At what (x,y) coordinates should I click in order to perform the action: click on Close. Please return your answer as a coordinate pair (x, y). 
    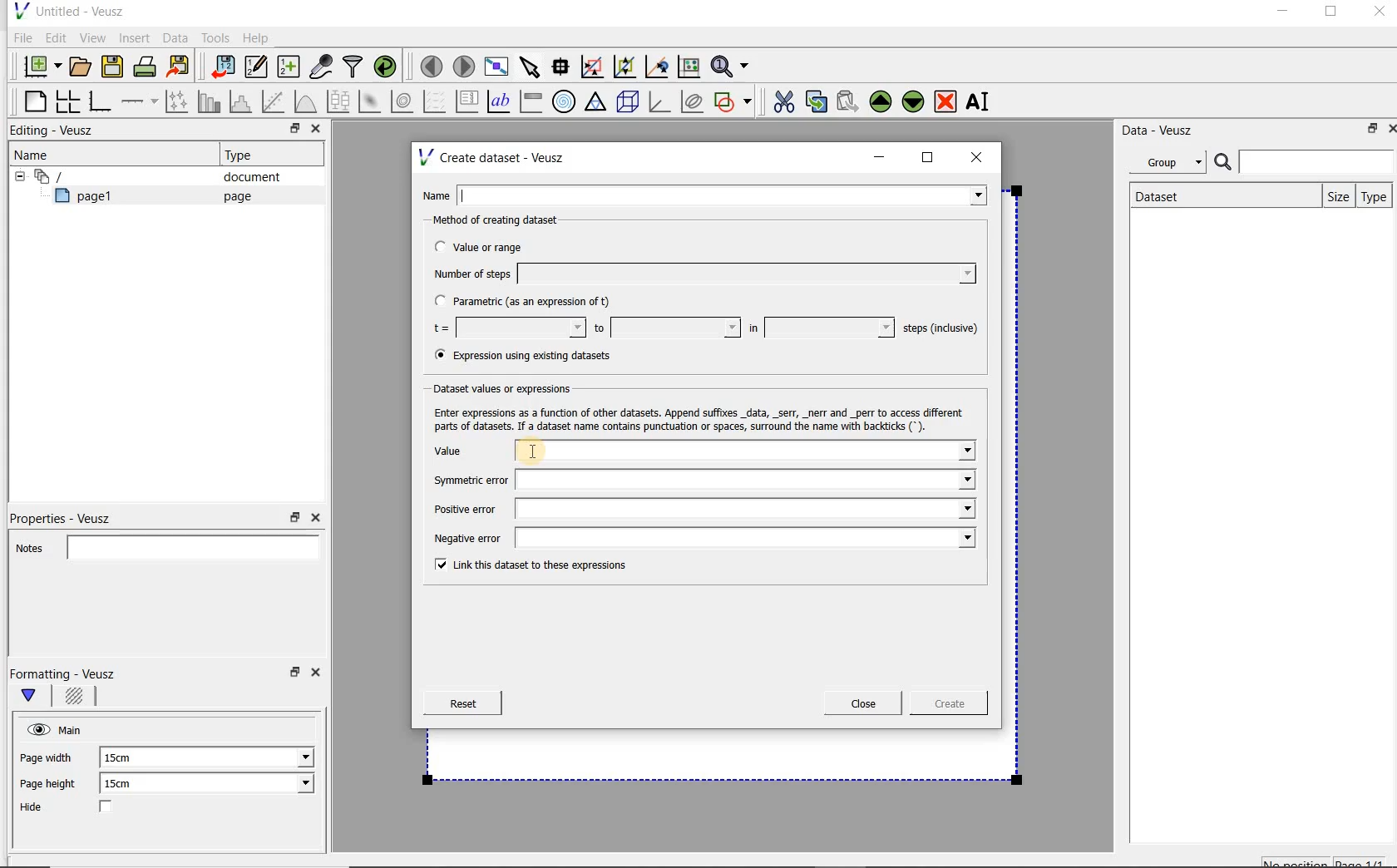
    Looking at the image, I should click on (863, 703).